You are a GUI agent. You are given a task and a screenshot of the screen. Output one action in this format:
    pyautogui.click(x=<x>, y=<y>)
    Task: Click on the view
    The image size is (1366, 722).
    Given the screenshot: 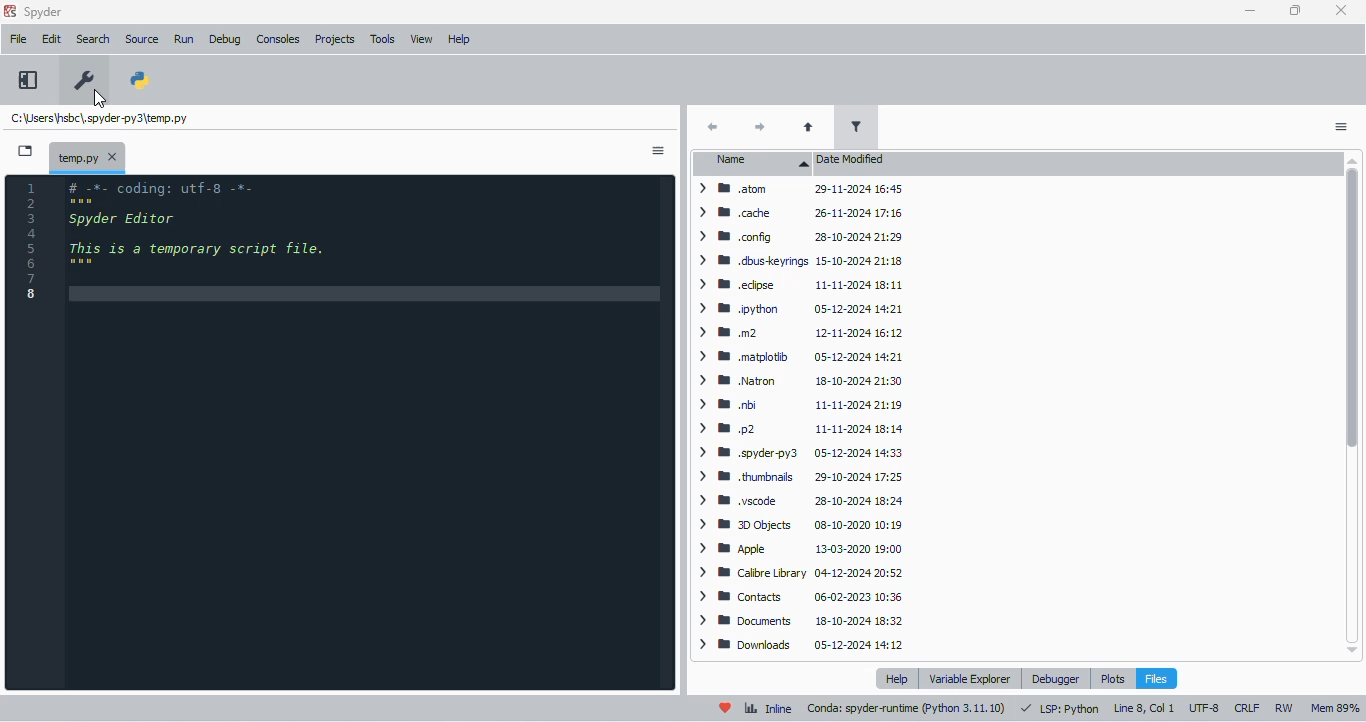 What is the action you would take?
    pyautogui.click(x=422, y=40)
    